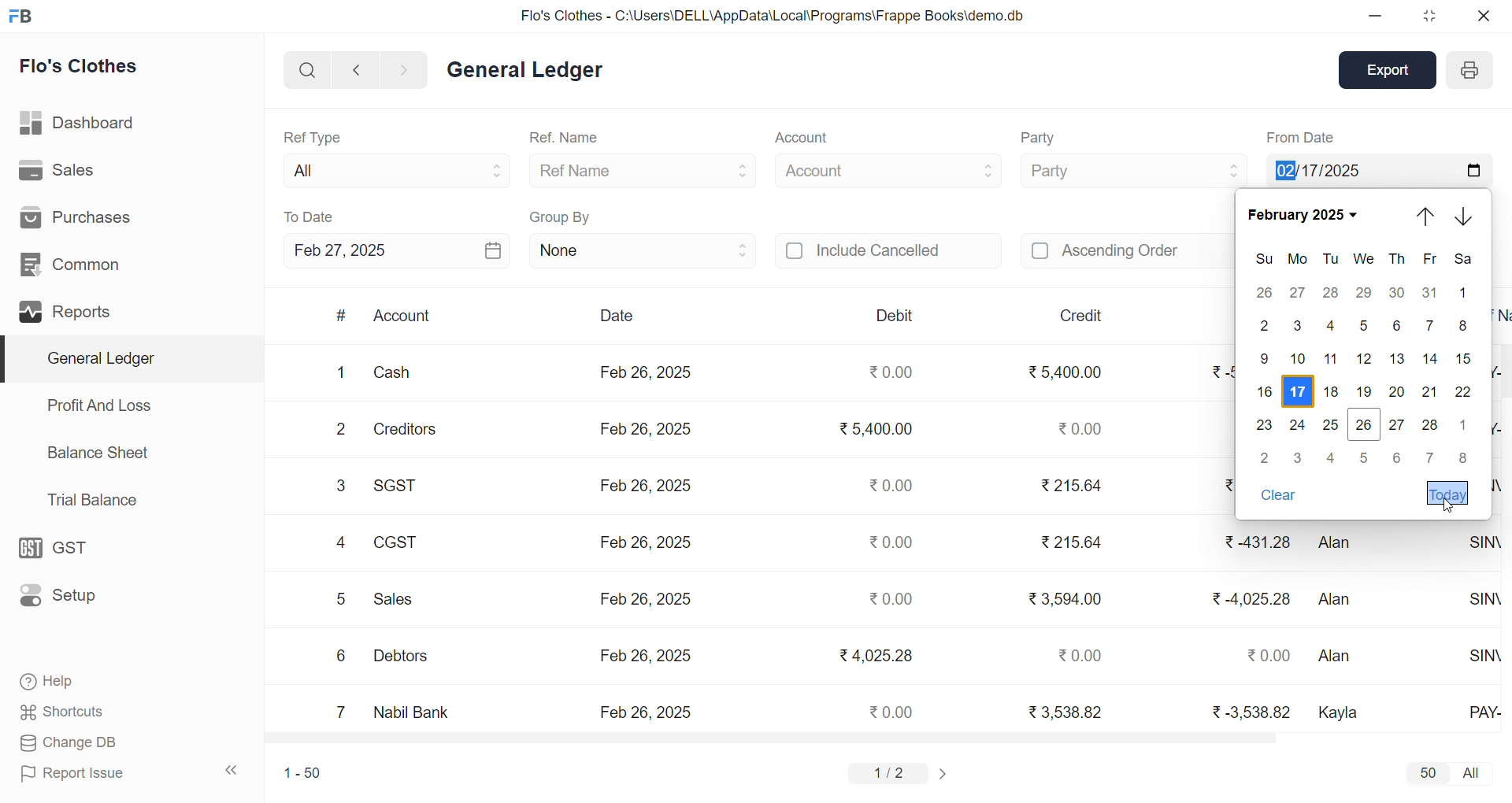  What do you see at coordinates (893, 373) in the screenshot?
I see `₹0.00` at bounding box center [893, 373].